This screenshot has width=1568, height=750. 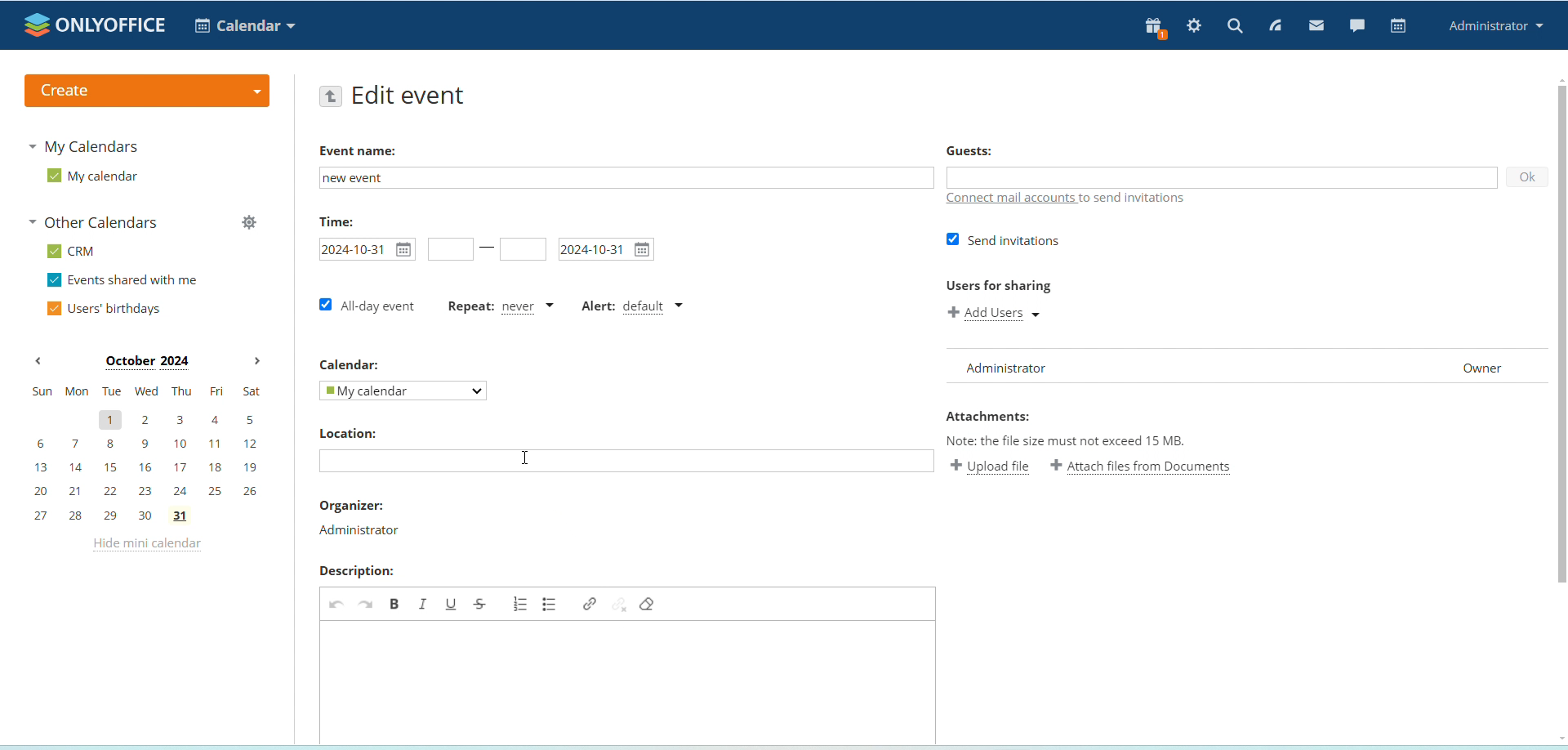 What do you see at coordinates (402, 391) in the screenshot?
I see `select calendar` at bounding box center [402, 391].